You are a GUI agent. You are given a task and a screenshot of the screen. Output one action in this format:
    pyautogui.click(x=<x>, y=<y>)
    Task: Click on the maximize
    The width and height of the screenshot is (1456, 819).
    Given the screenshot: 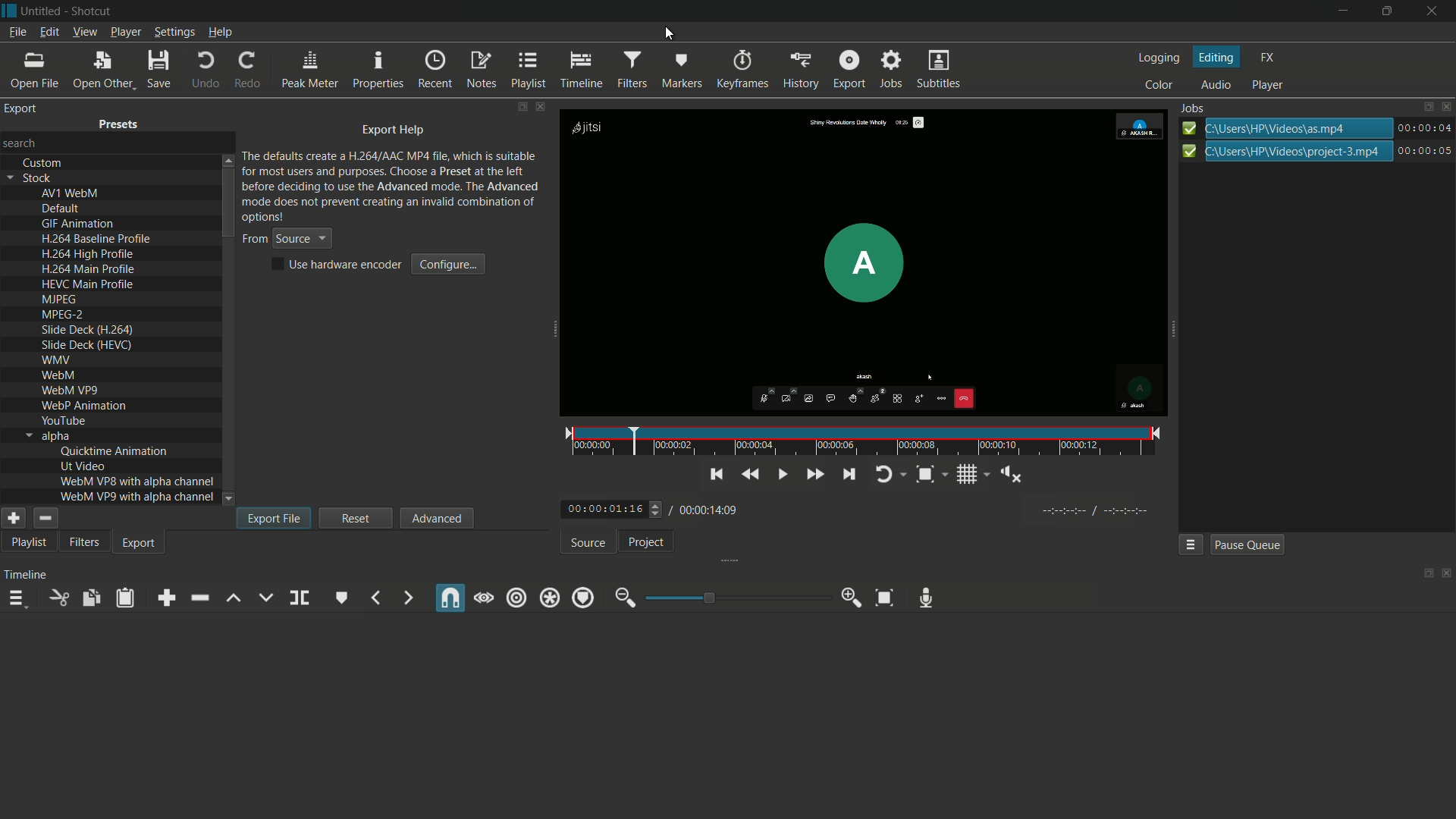 What is the action you would take?
    pyautogui.click(x=1385, y=11)
    